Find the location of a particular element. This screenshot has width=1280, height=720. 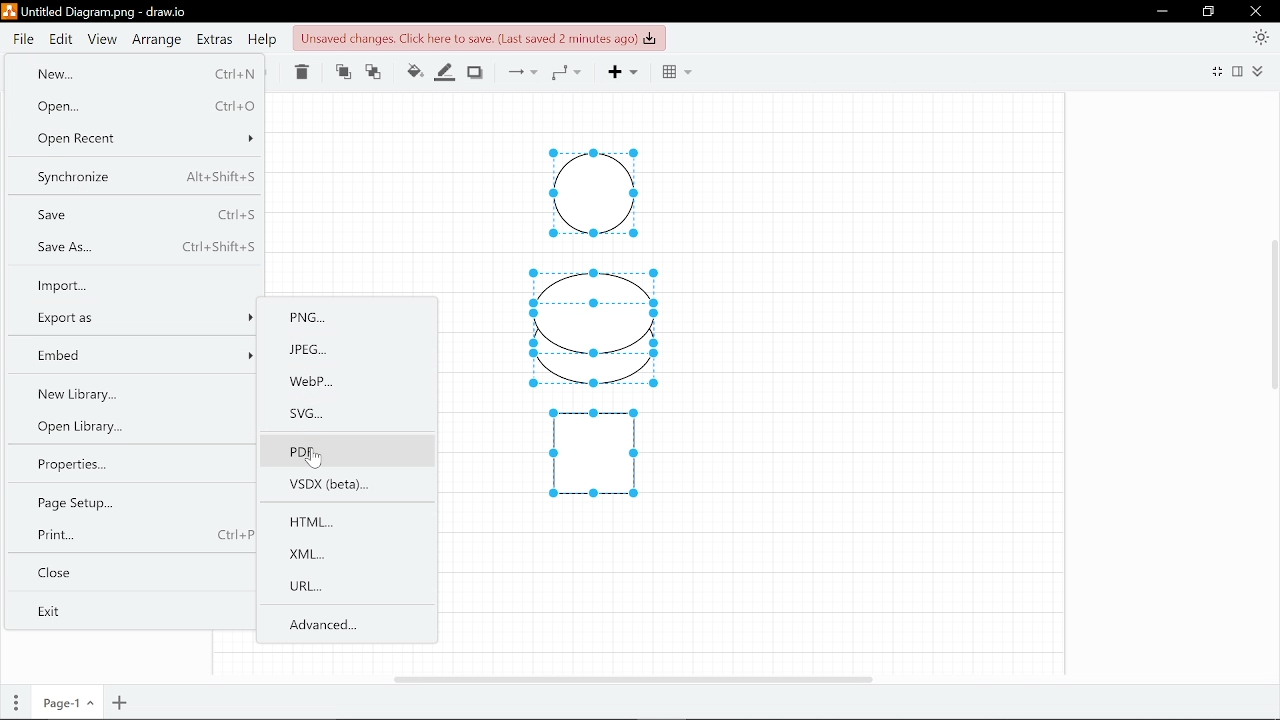

Import is located at coordinates (132, 285).